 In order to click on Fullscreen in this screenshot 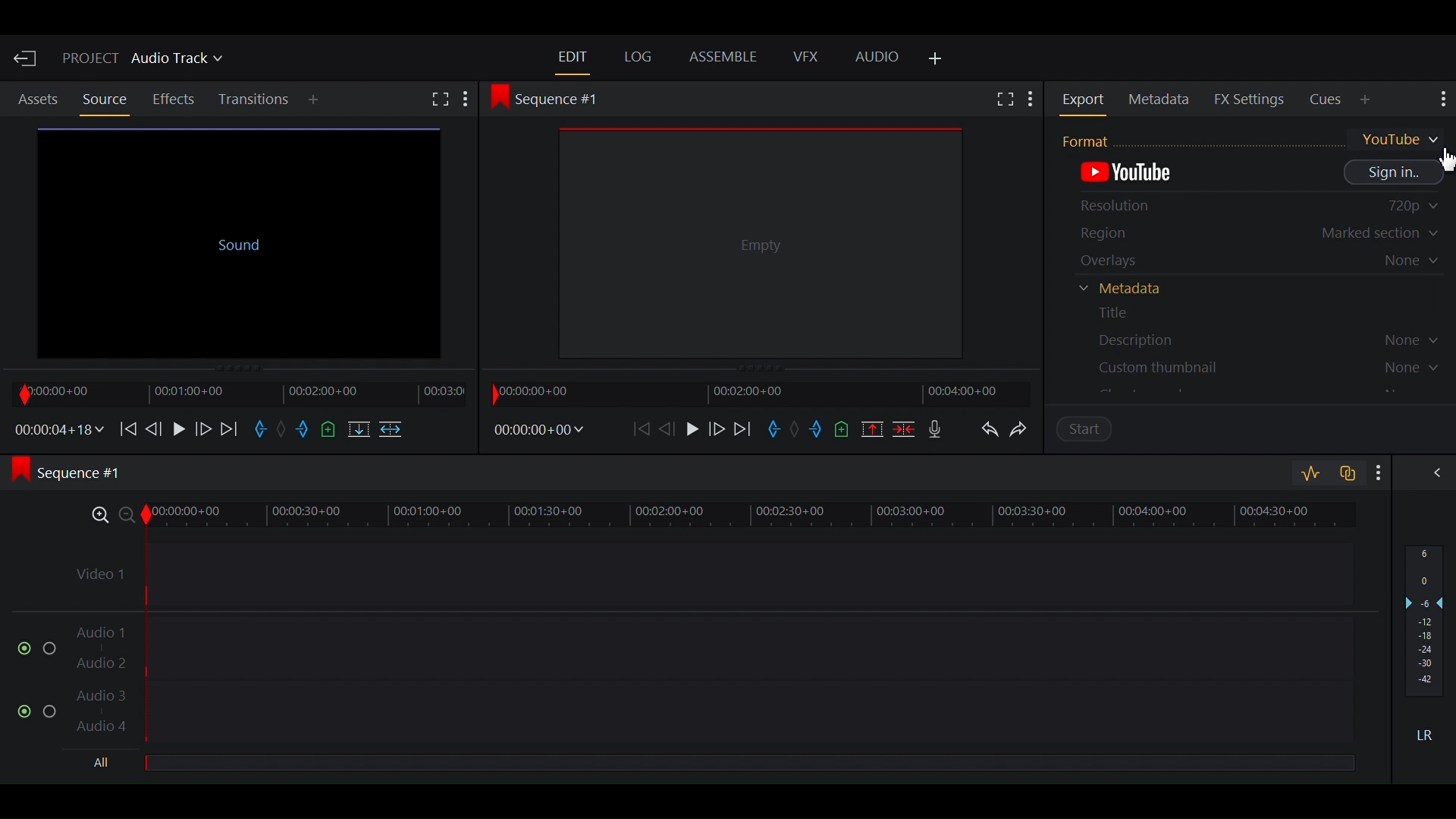, I will do `click(1003, 99)`.